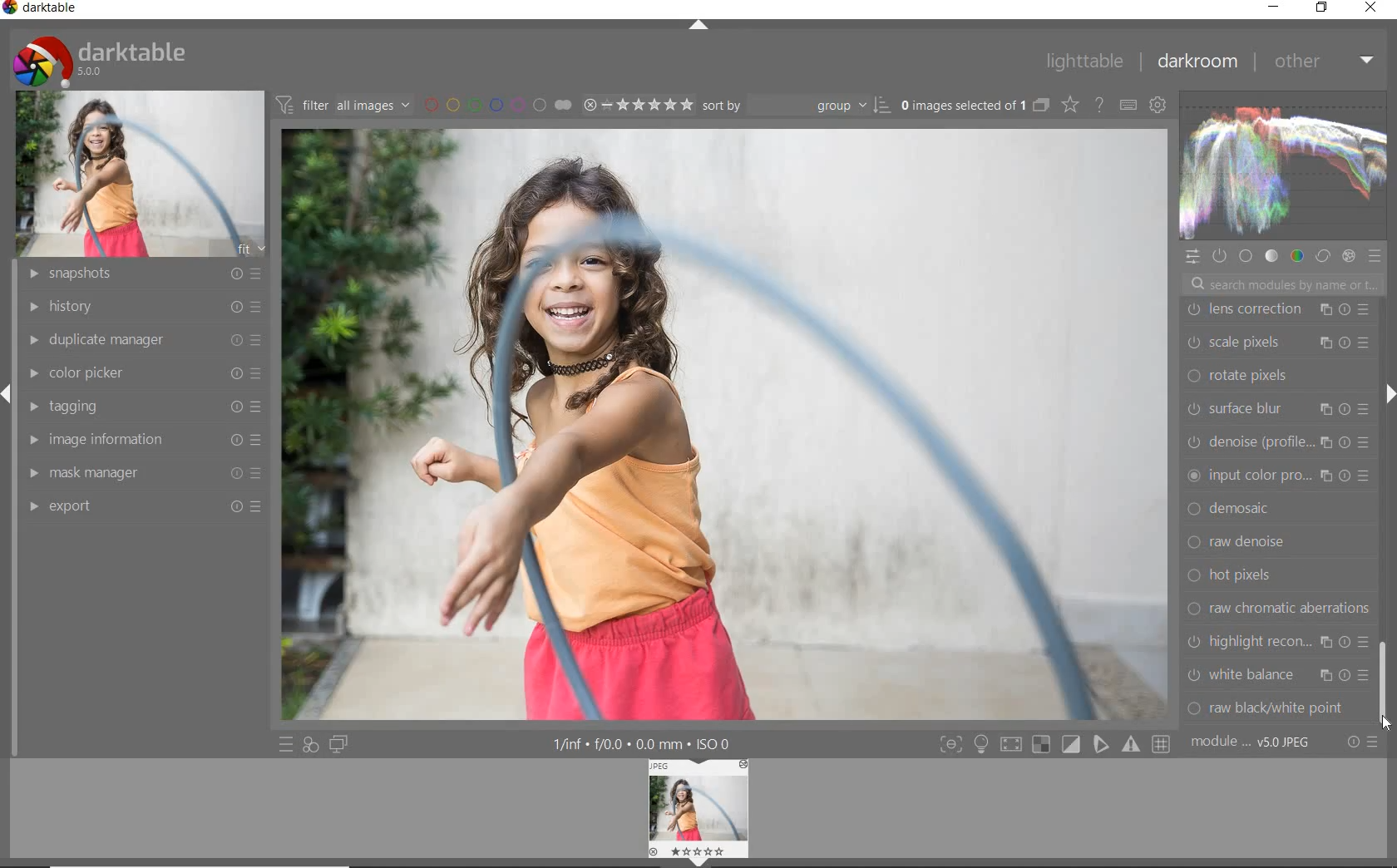  What do you see at coordinates (1387, 725) in the screenshot?
I see `CURSOR` at bounding box center [1387, 725].